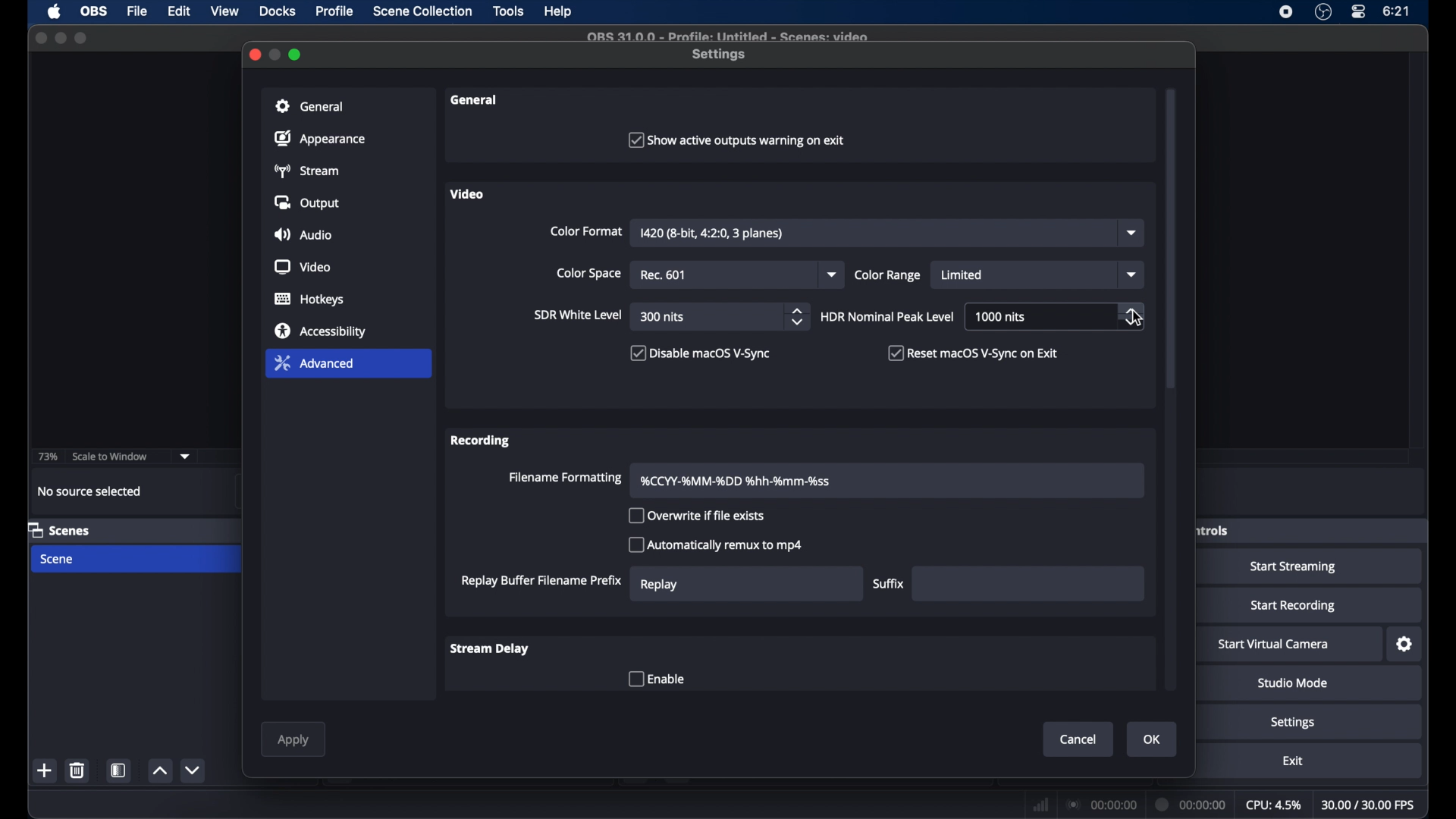  I want to click on hotkeys, so click(309, 299).